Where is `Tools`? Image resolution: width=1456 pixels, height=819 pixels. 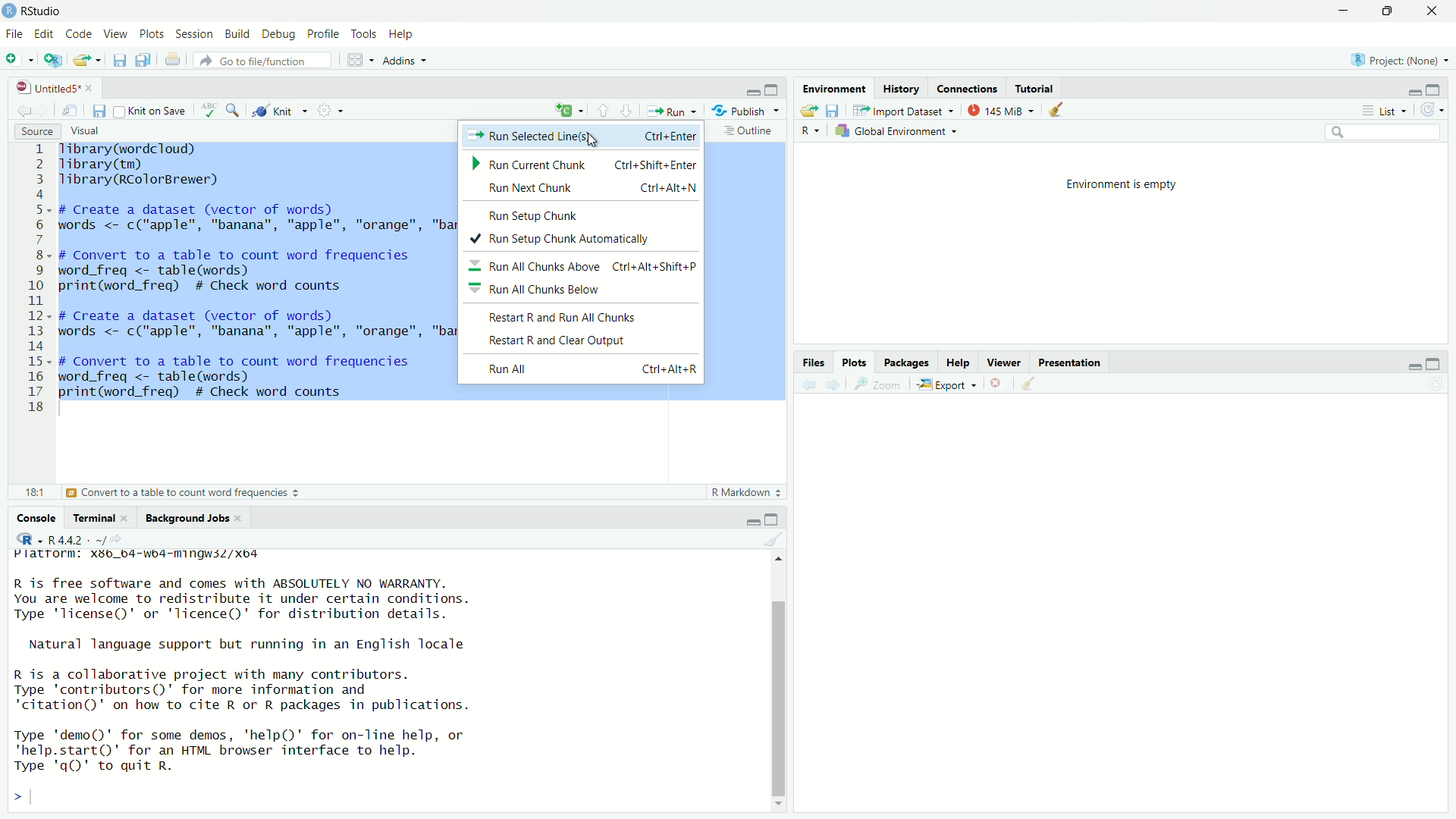
Tools is located at coordinates (363, 33).